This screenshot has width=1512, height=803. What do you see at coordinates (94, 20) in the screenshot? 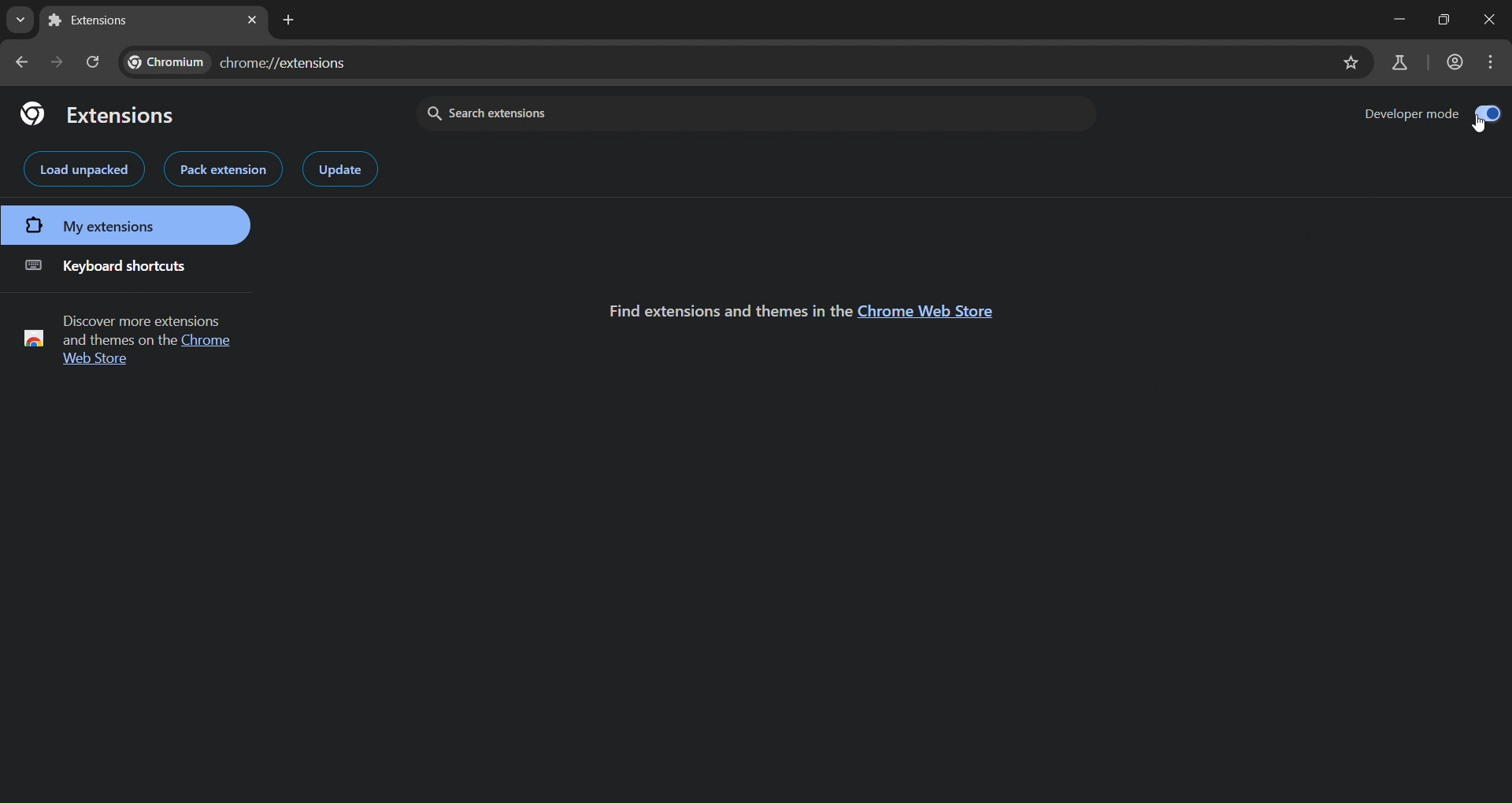
I see `current tab` at bounding box center [94, 20].